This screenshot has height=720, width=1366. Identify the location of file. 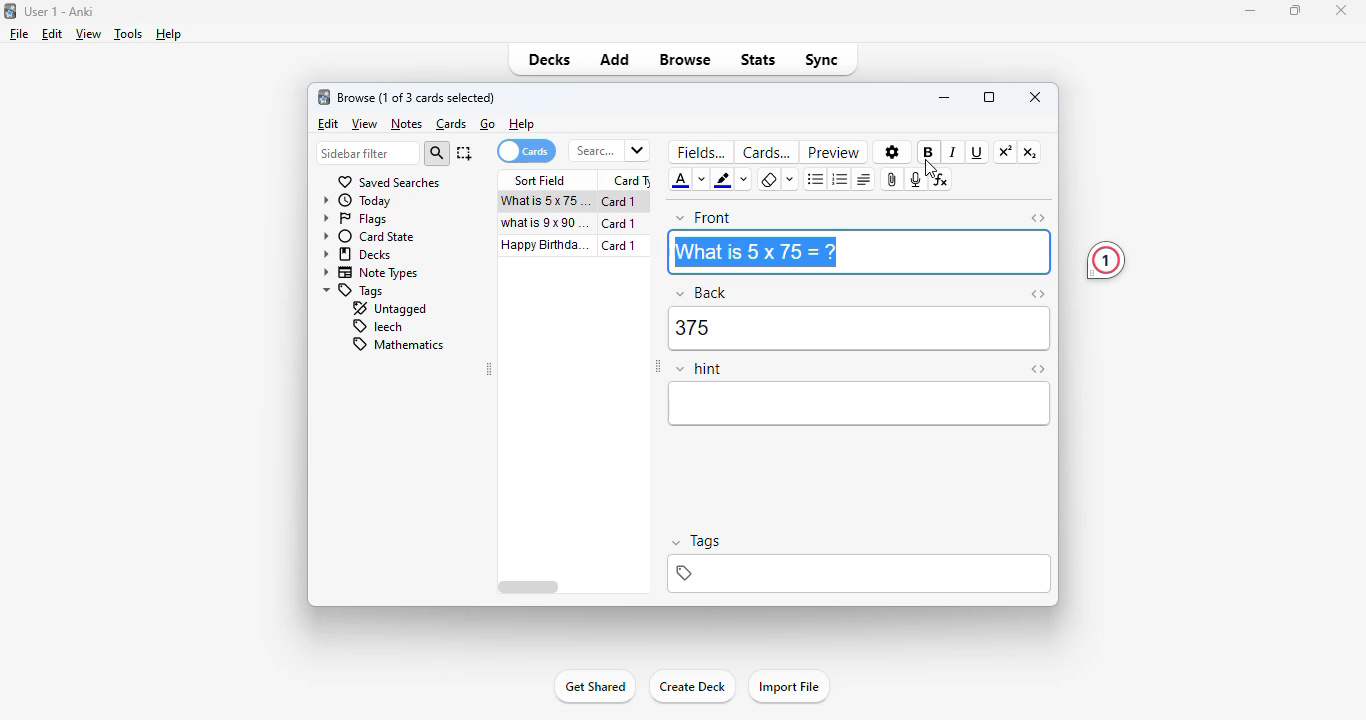
(20, 34).